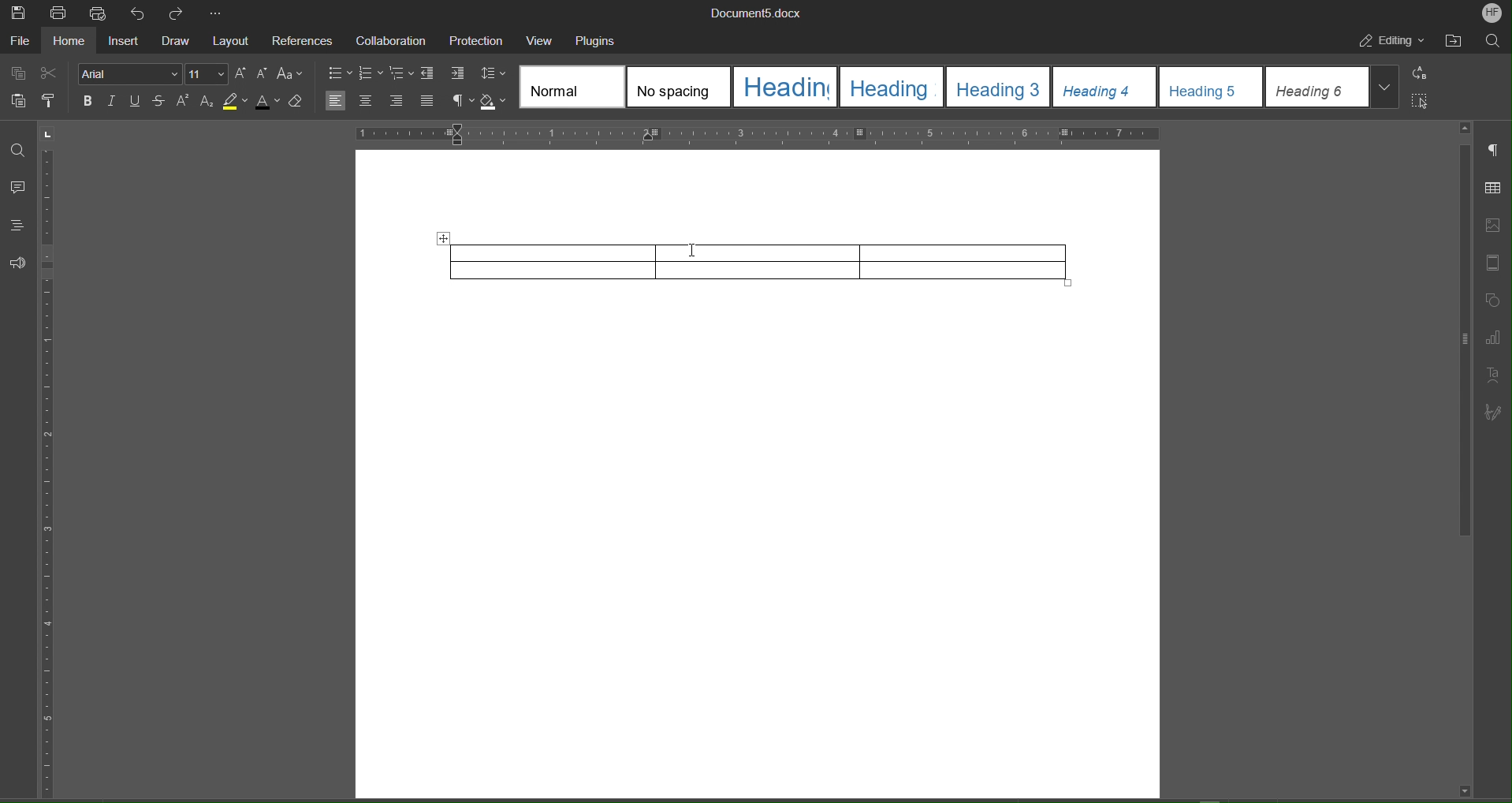 This screenshot has height=803, width=1512. Describe the element at coordinates (391, 41) in the screenshot. I see `Collaboration` at that location.